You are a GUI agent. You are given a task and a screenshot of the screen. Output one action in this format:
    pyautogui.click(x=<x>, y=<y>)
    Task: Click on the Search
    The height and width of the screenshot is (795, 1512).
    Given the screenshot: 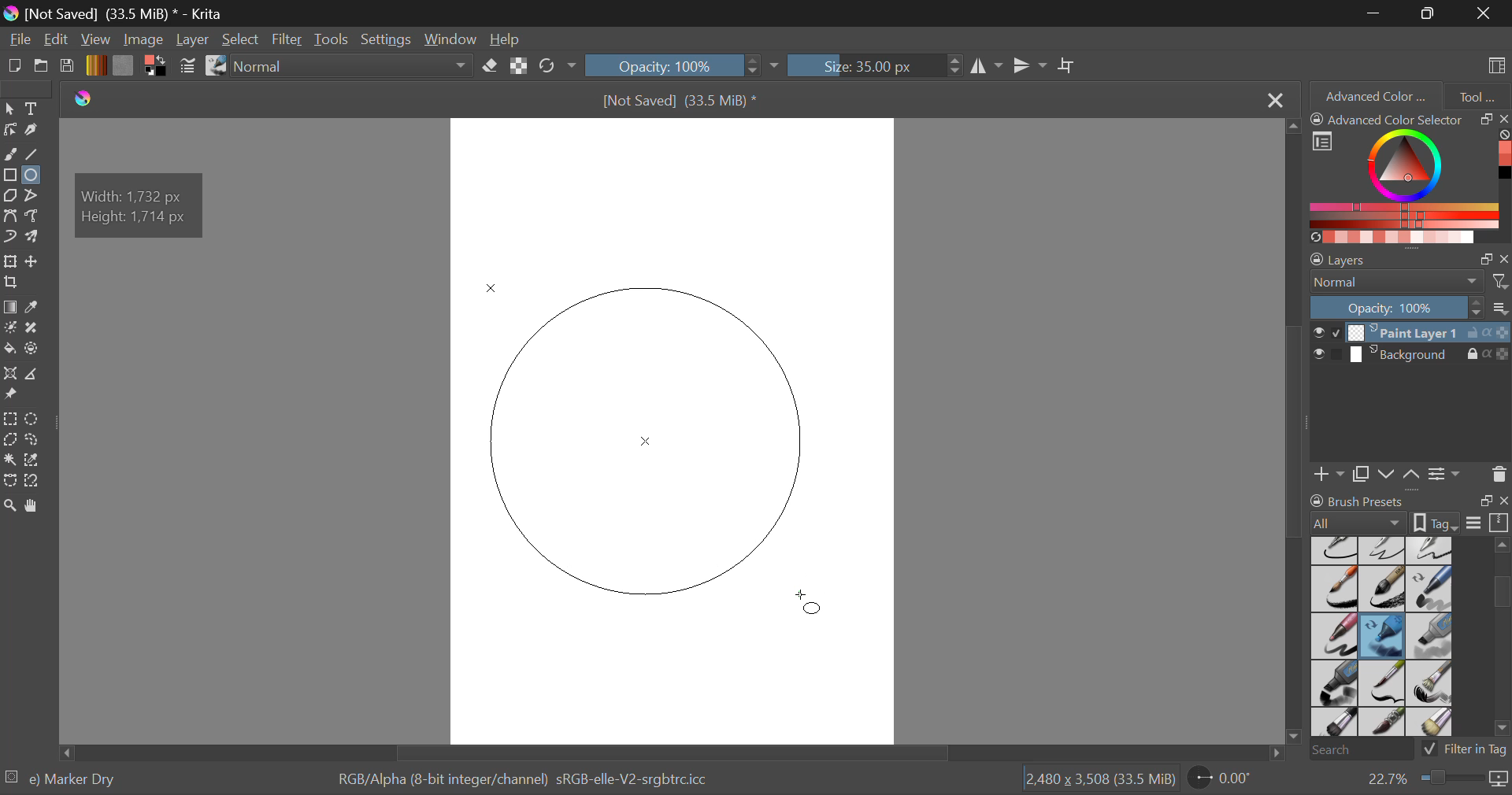 What is the action you would take?
    pyautogui.click(x=1357, y=751)
    